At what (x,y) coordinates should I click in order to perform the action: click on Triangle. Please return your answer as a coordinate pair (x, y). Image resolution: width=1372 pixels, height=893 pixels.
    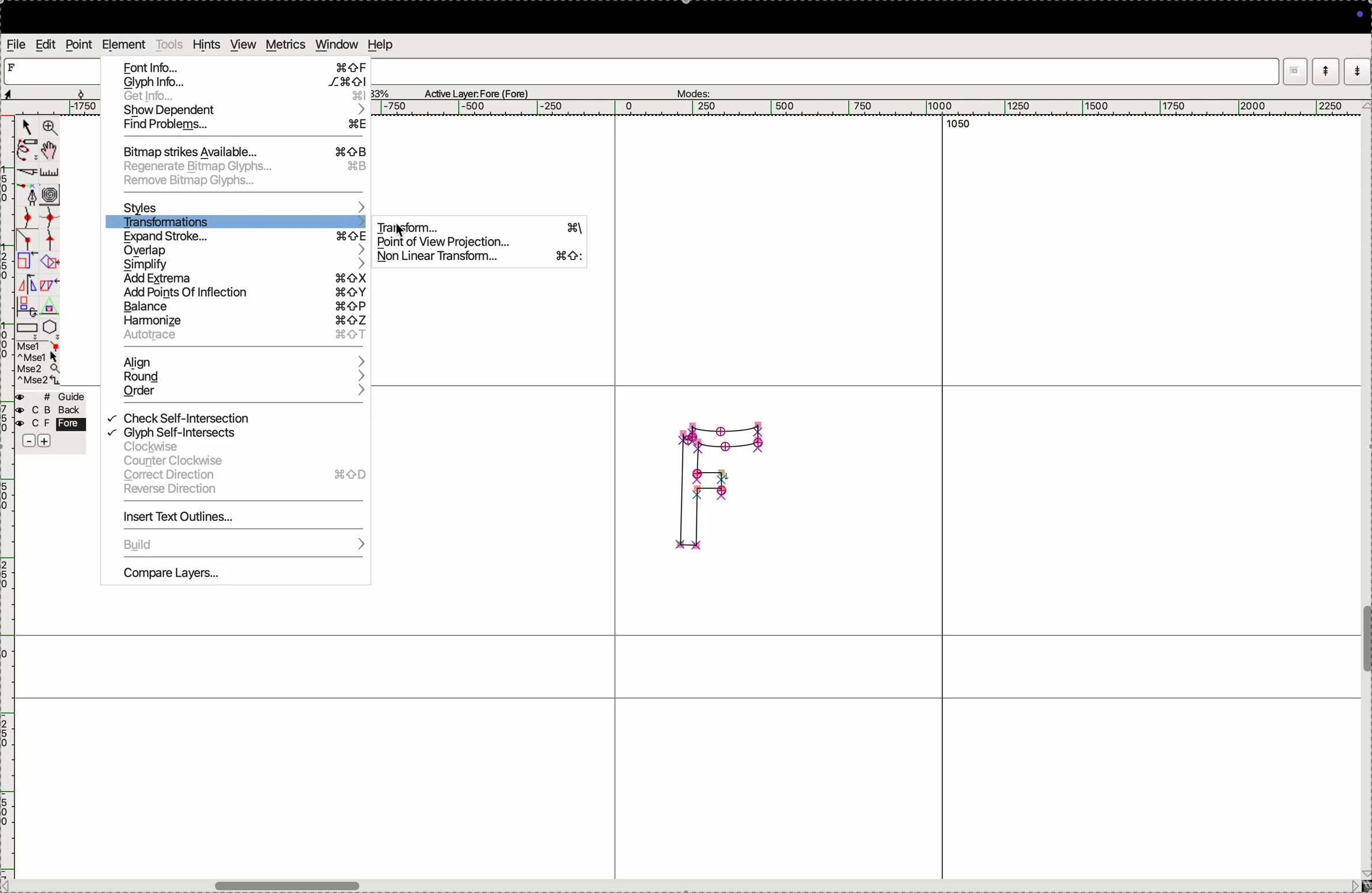
    Looking at the image, I should click on (49, 306).